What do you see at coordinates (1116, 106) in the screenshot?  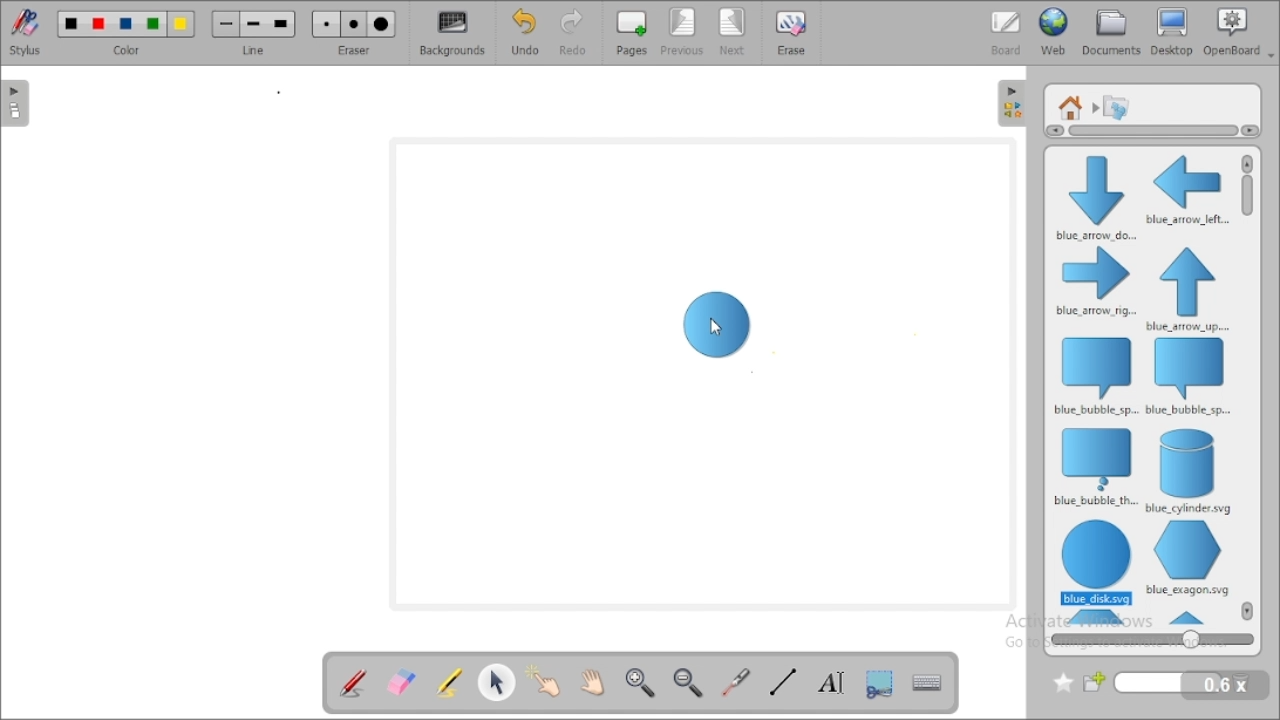 I see `shapes` at bounding box center [1116, 106].